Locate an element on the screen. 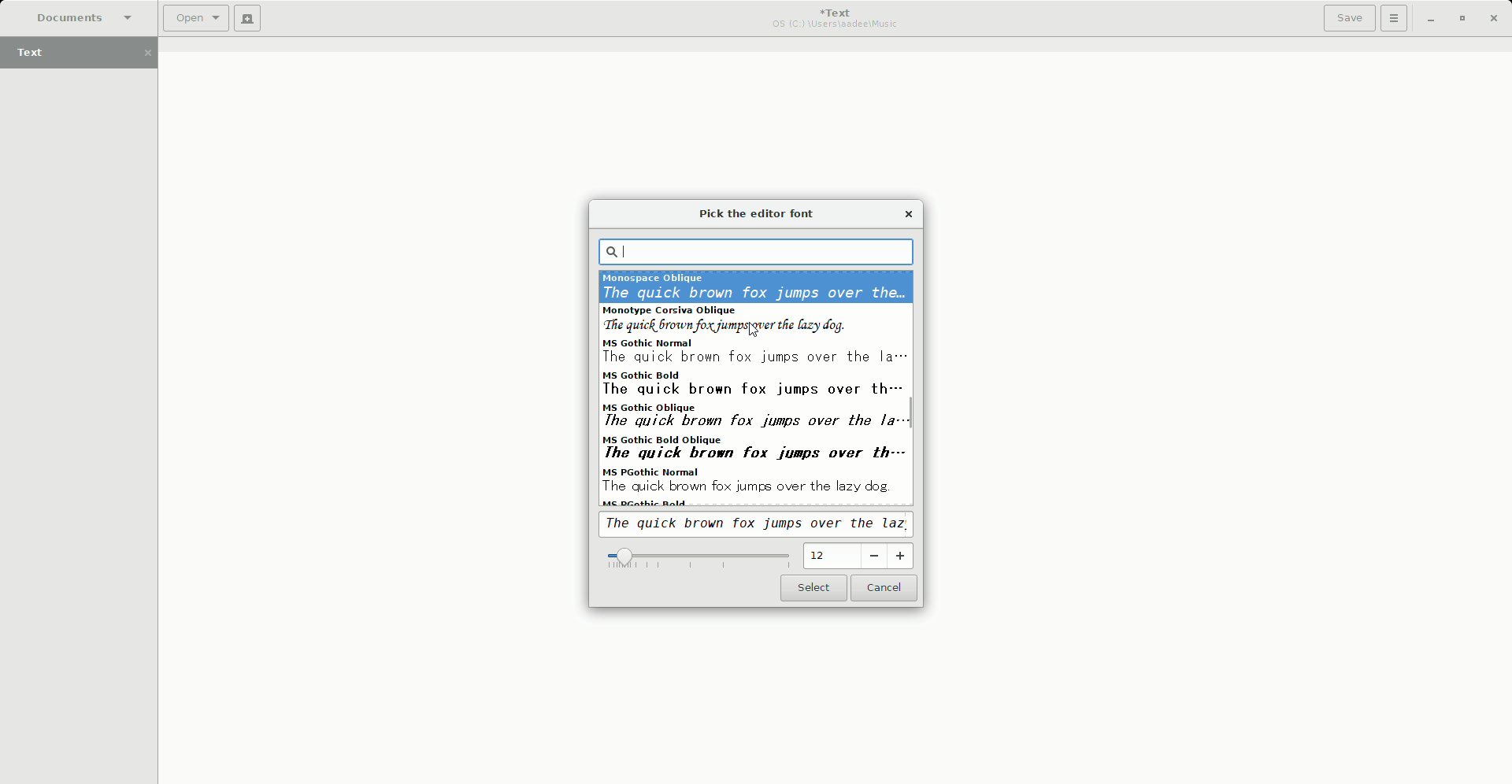  Gothic Bold is located at coordinates (758, 383).